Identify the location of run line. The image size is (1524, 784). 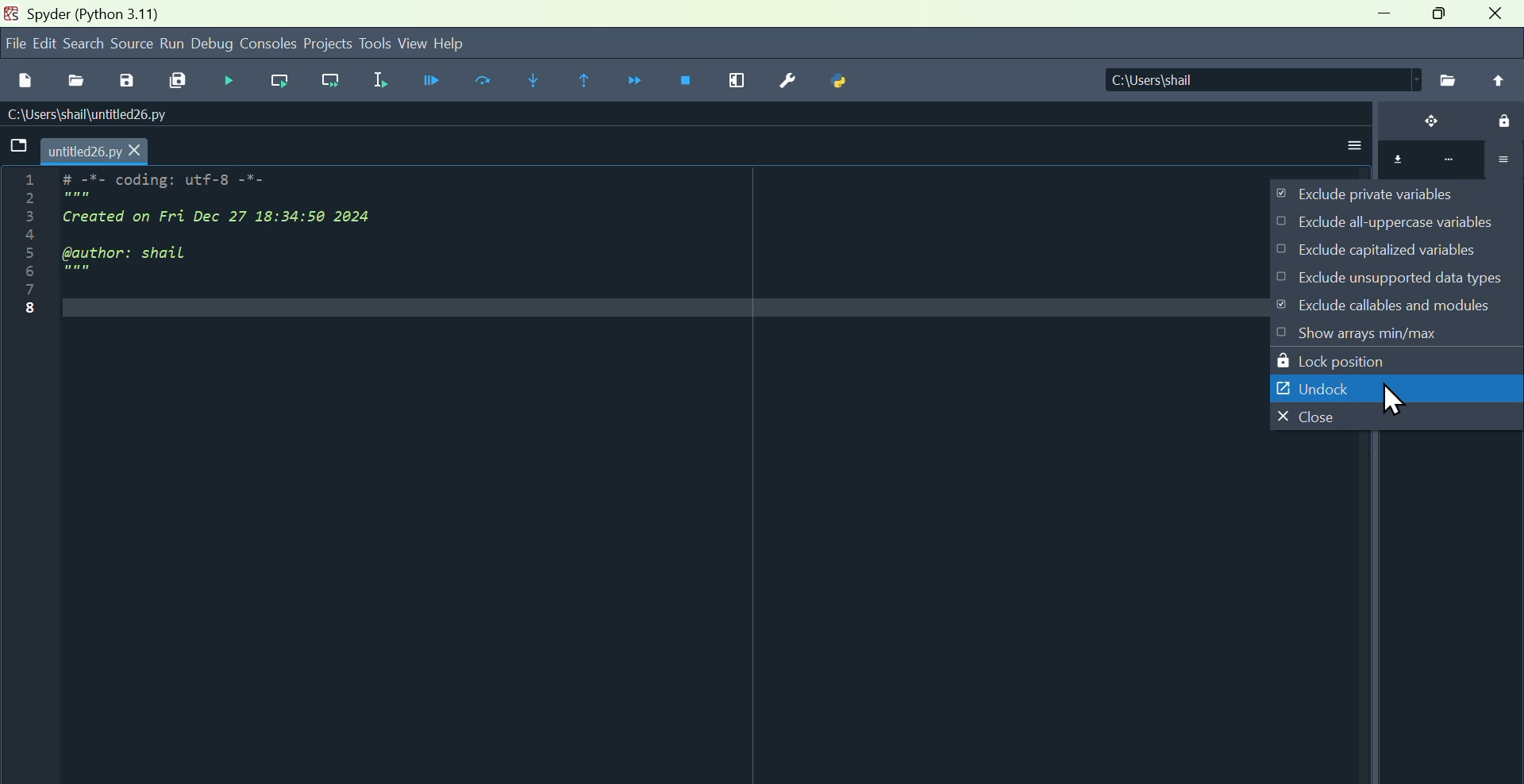
(275, 81).